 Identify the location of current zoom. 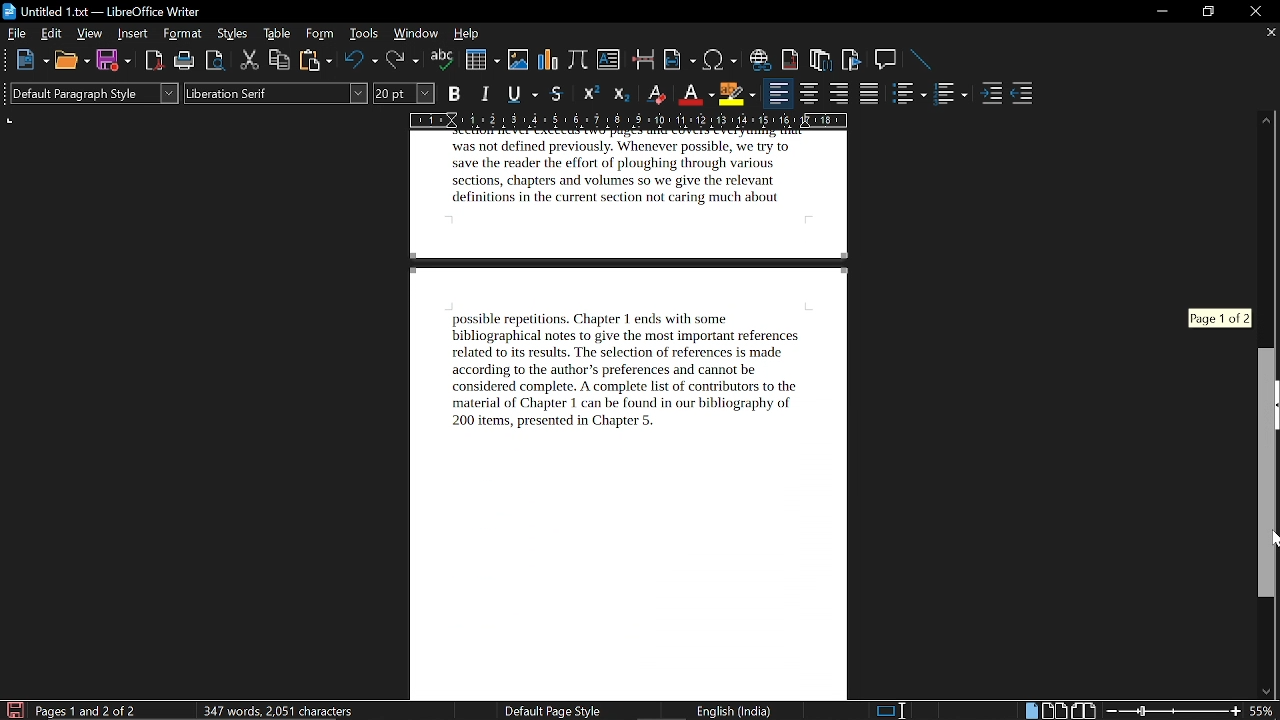
(1265, 712).